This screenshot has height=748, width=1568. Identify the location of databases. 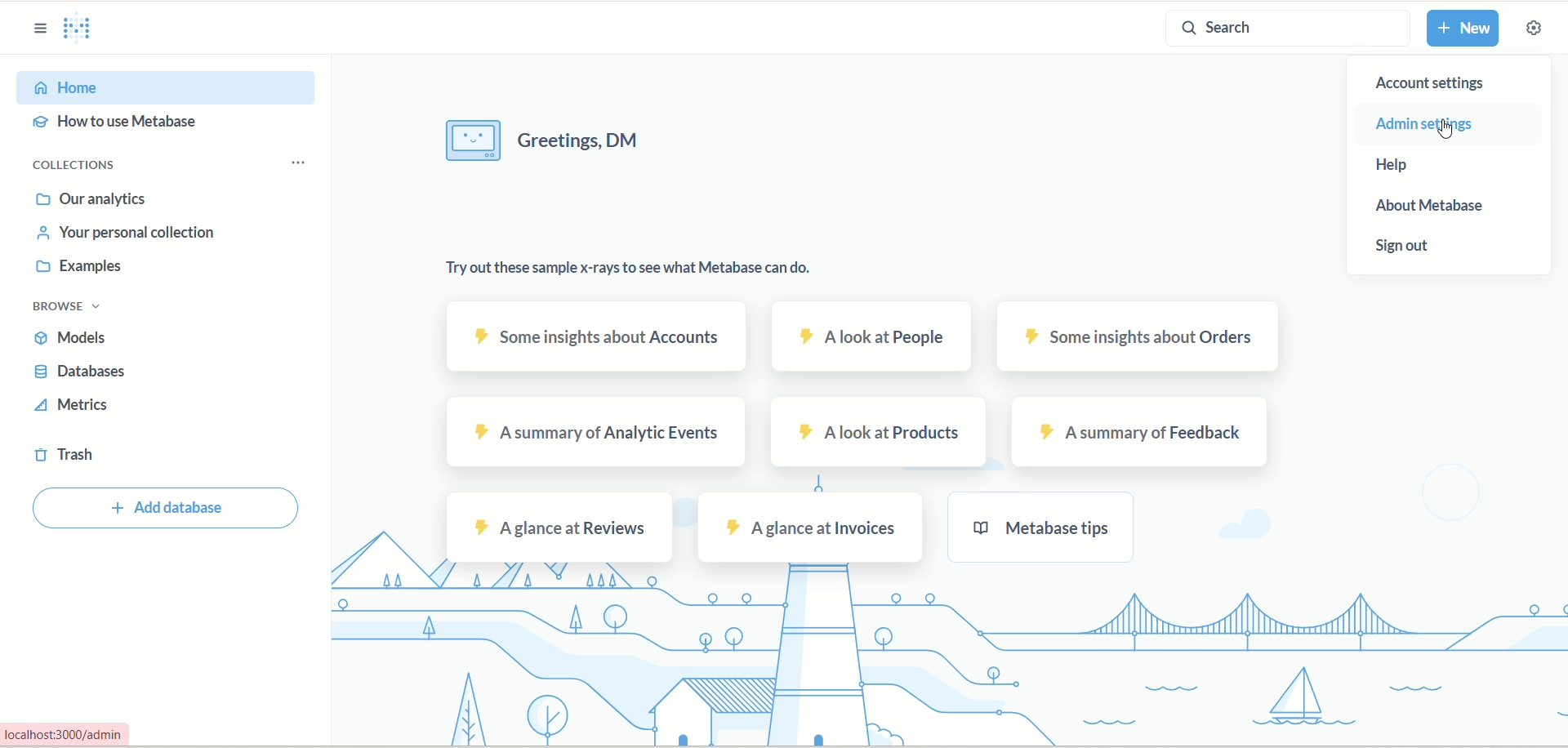
(78, 373).